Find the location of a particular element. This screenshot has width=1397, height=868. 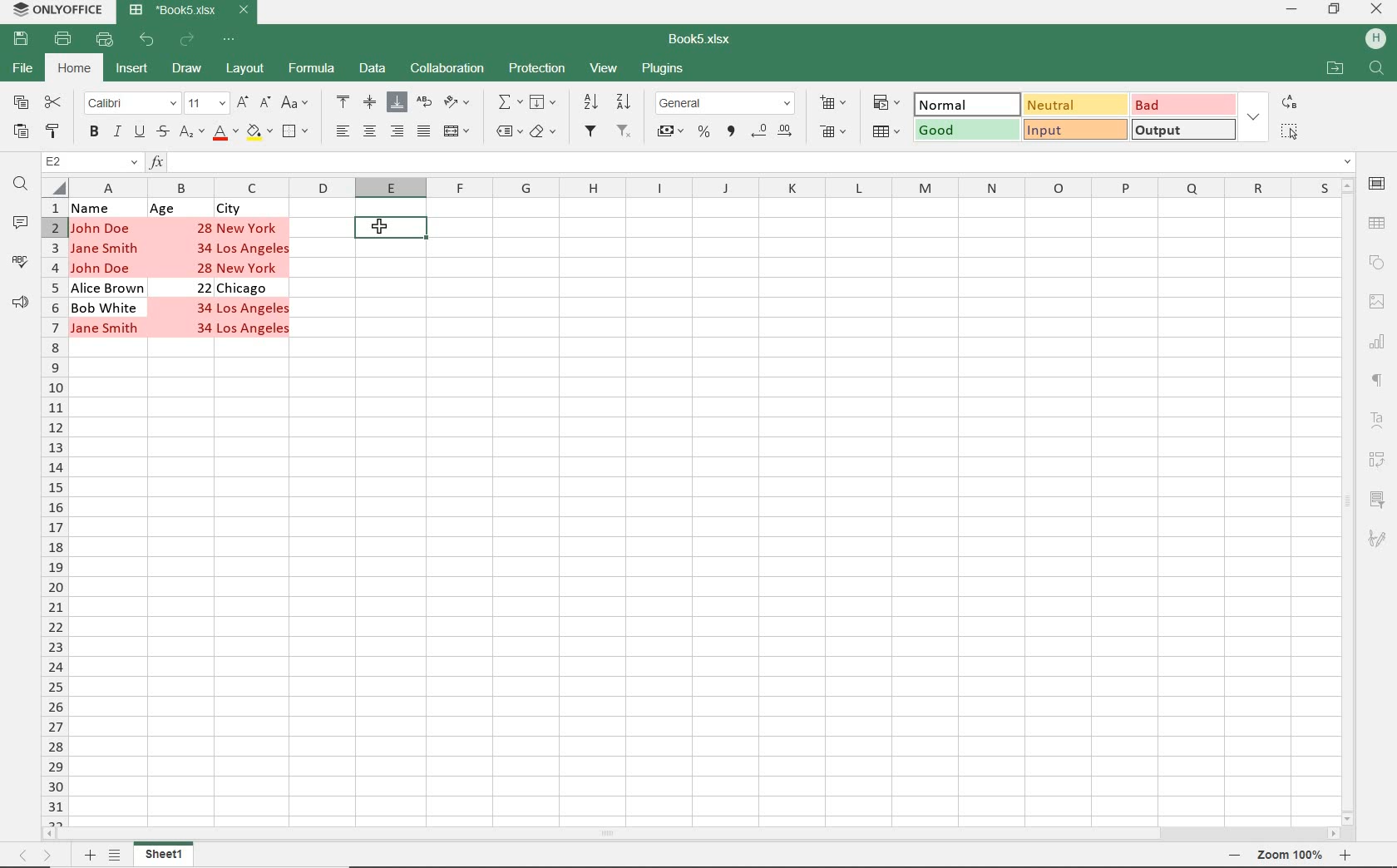

GOOD is located at coordinates (967, 131).